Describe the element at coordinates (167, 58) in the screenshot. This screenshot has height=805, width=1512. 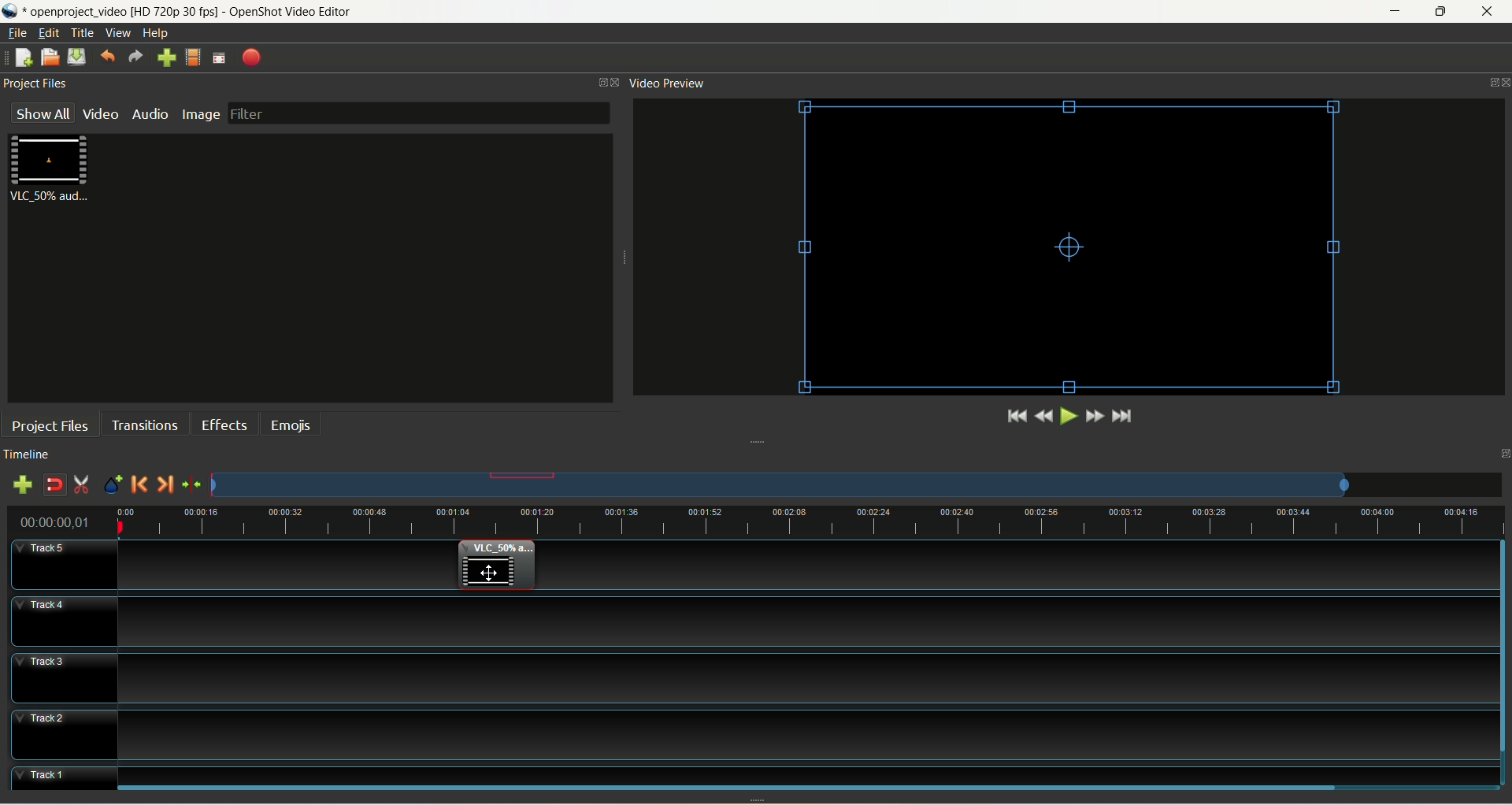
I see `import file` at that location.